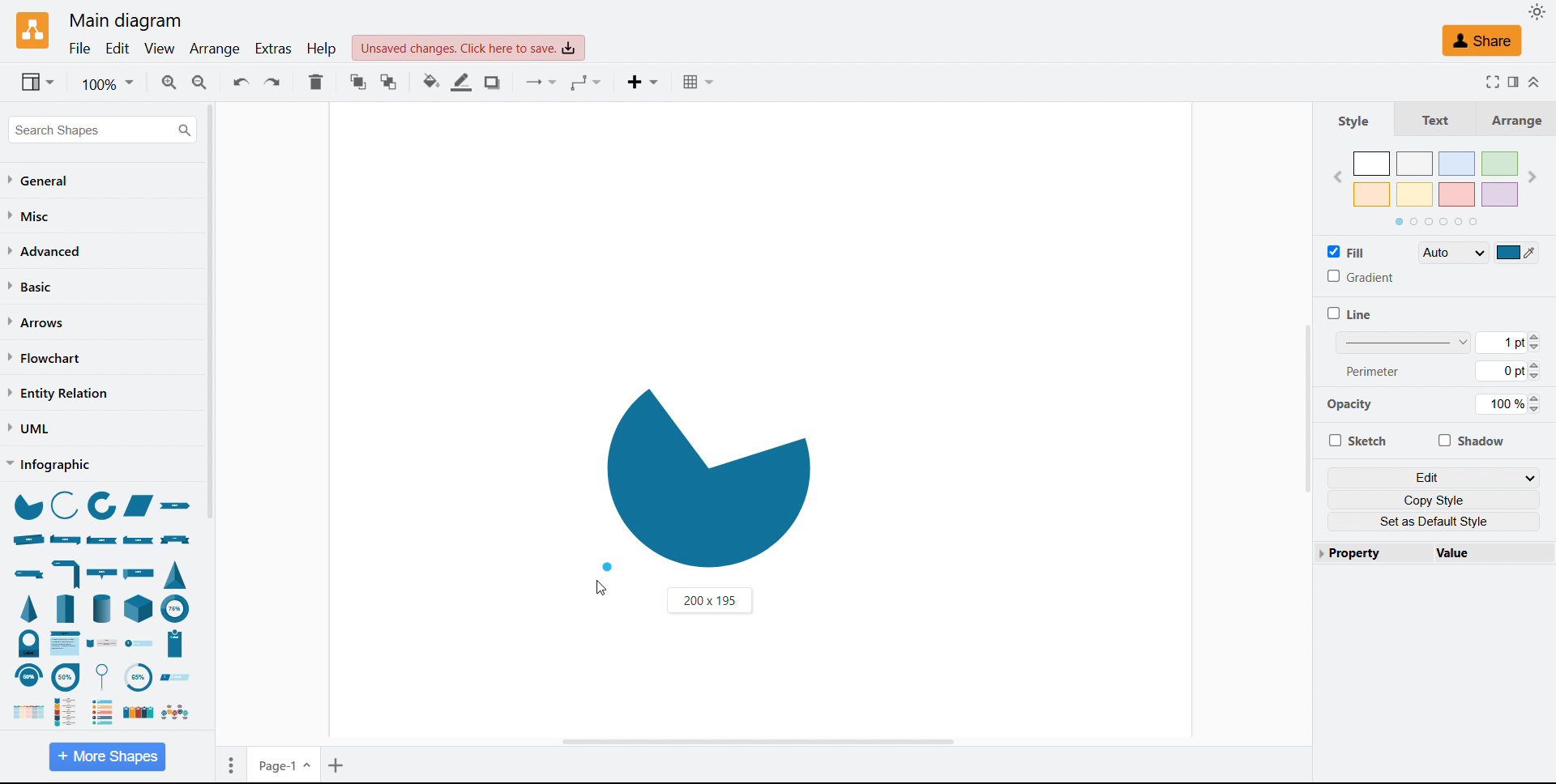 This screenshot has width=1556, height=784. Describe the element at coordinates (71, 710) in the screenshot. I see `roadmap vertical` at that location.